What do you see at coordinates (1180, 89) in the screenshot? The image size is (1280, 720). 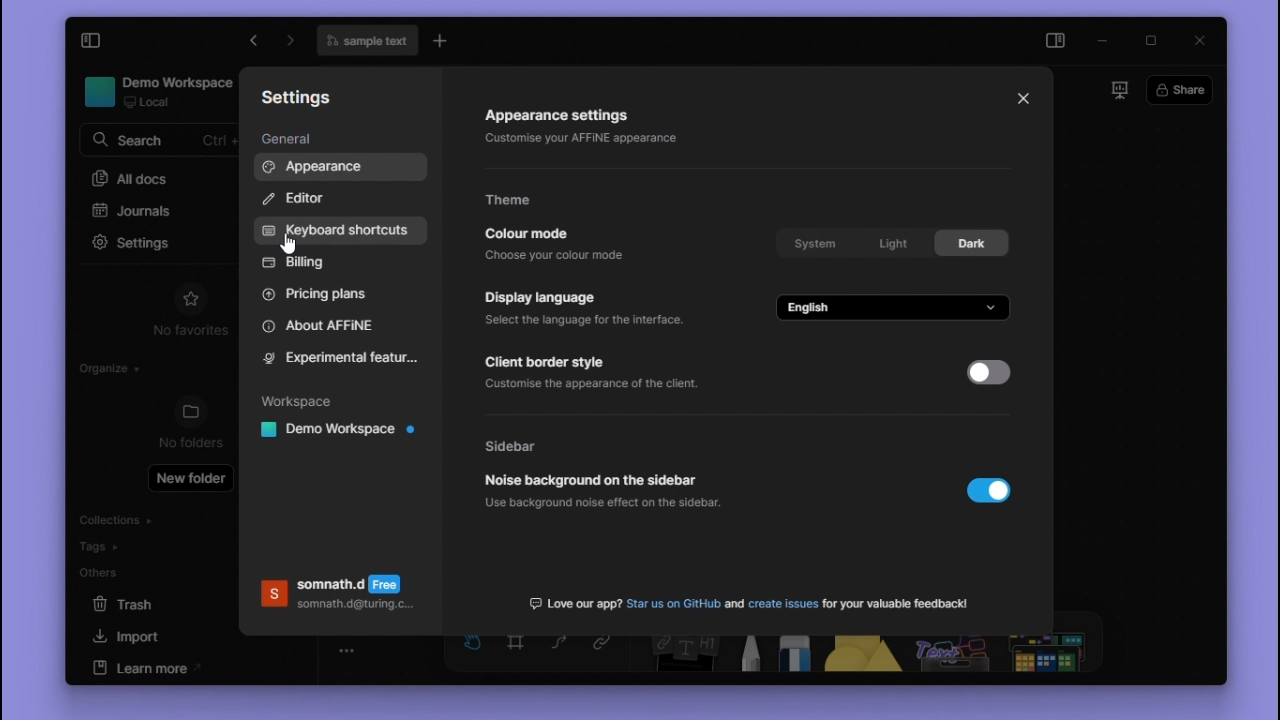 I see `share` at bounding box center [1180, 89].